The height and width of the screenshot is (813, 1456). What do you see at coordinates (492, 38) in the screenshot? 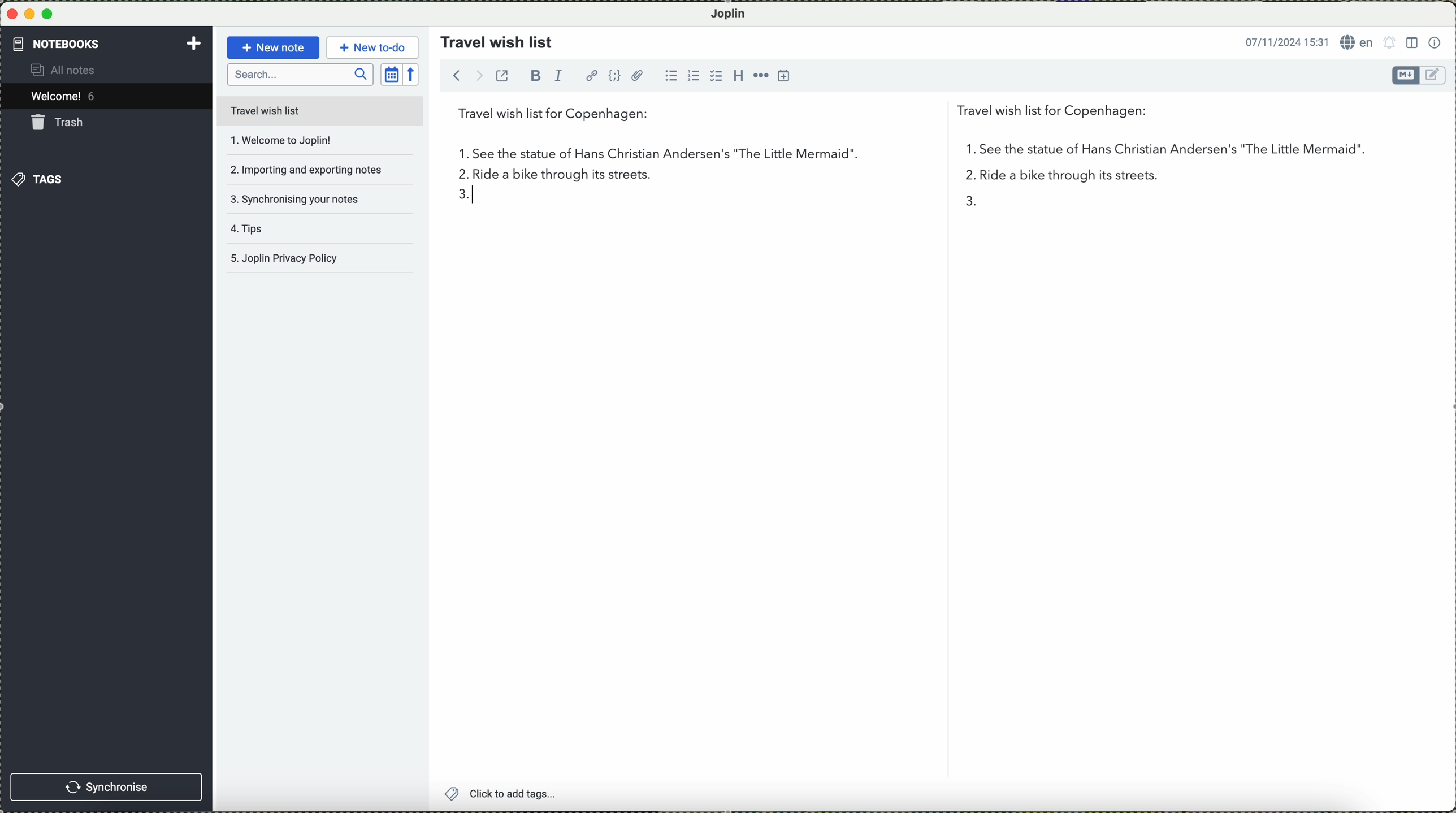
I see `travel wish list` at bounding box center [492, 38].